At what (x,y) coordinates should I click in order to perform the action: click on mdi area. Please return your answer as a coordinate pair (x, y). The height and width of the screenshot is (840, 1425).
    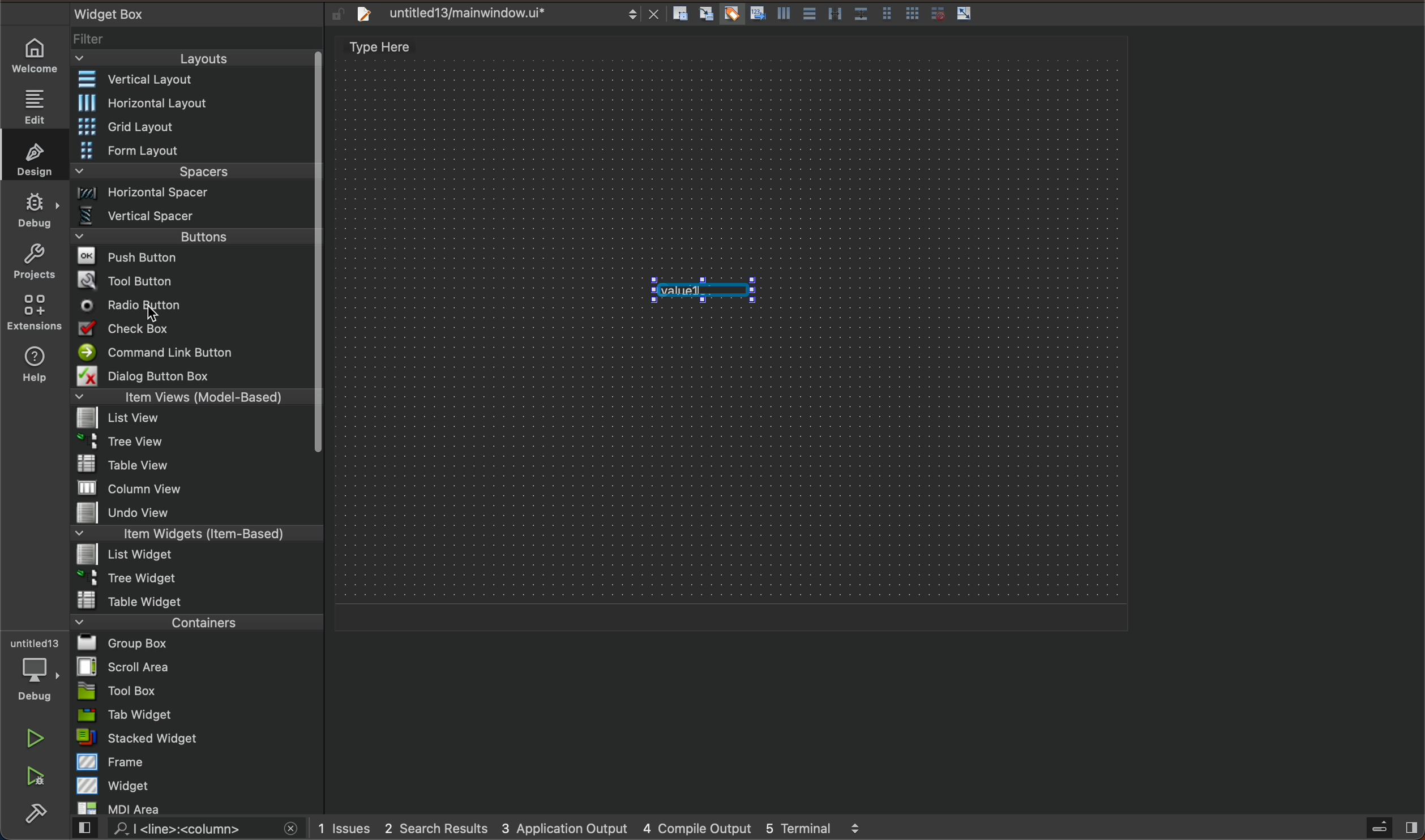
    Looking at the image, I should click on (196, 806).